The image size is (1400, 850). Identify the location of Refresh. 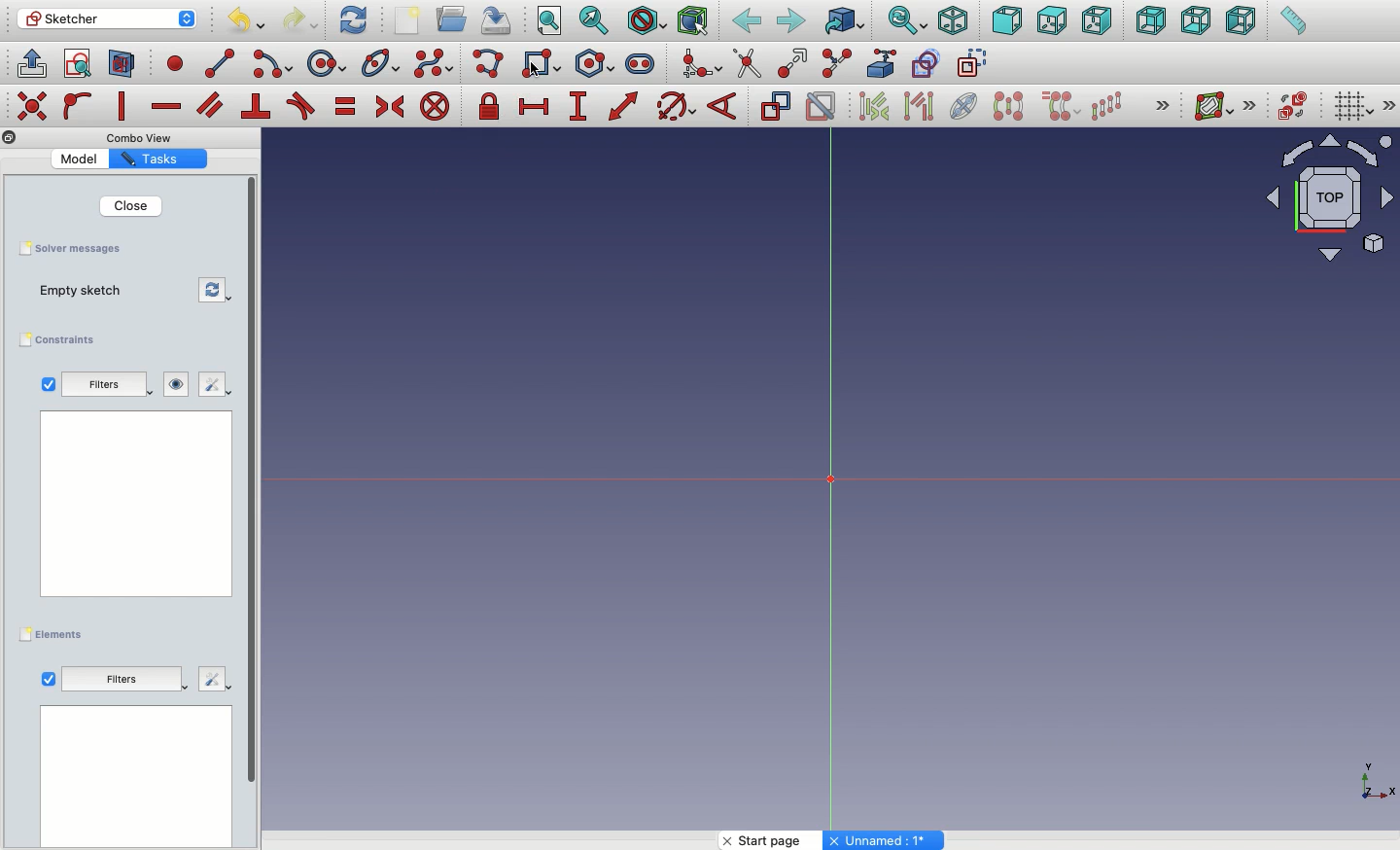
(353, 18).